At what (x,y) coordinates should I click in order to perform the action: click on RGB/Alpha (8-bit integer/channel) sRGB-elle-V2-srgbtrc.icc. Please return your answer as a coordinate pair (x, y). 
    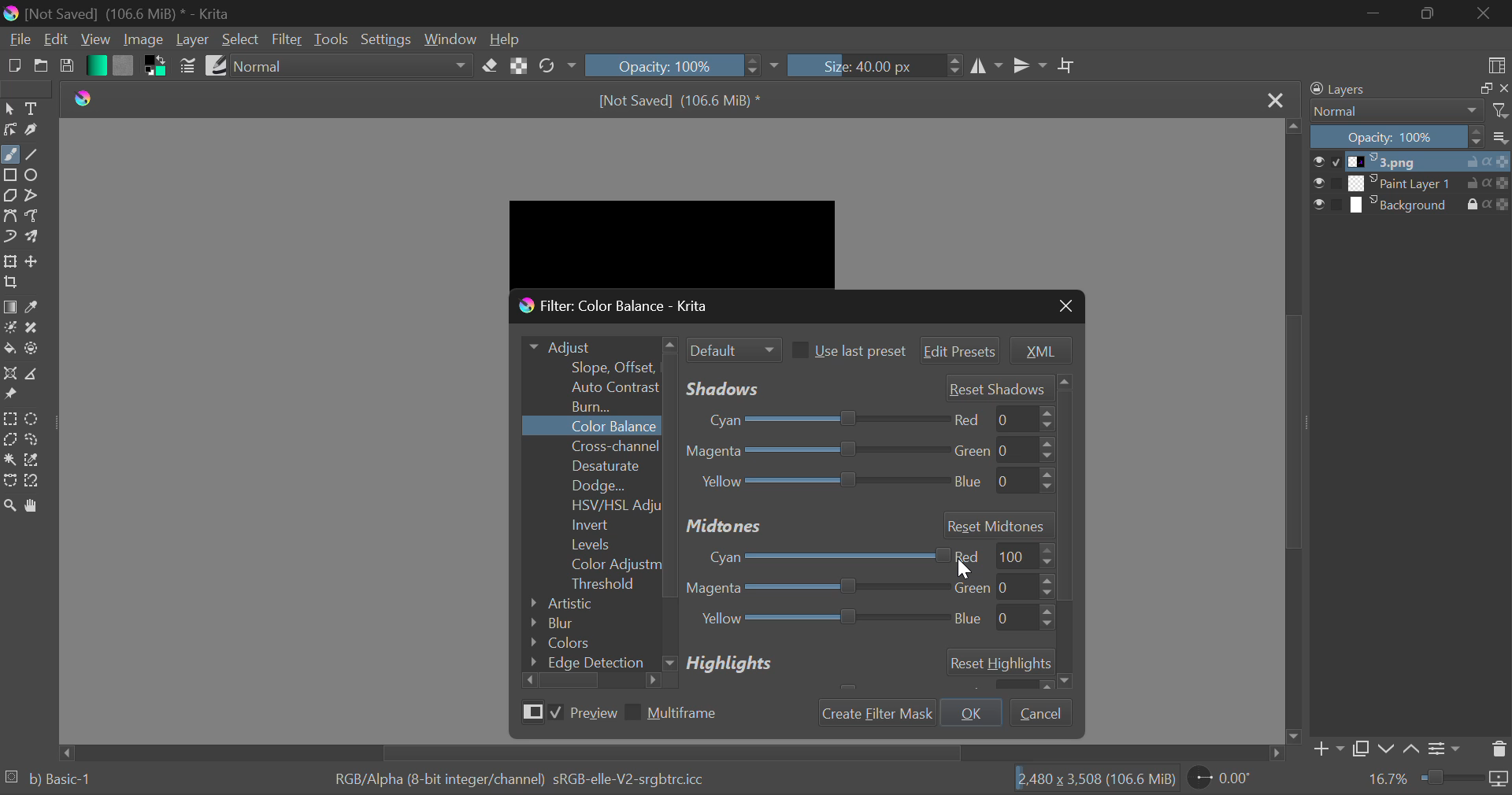
    Looking at the image, I should click on (532, 780).